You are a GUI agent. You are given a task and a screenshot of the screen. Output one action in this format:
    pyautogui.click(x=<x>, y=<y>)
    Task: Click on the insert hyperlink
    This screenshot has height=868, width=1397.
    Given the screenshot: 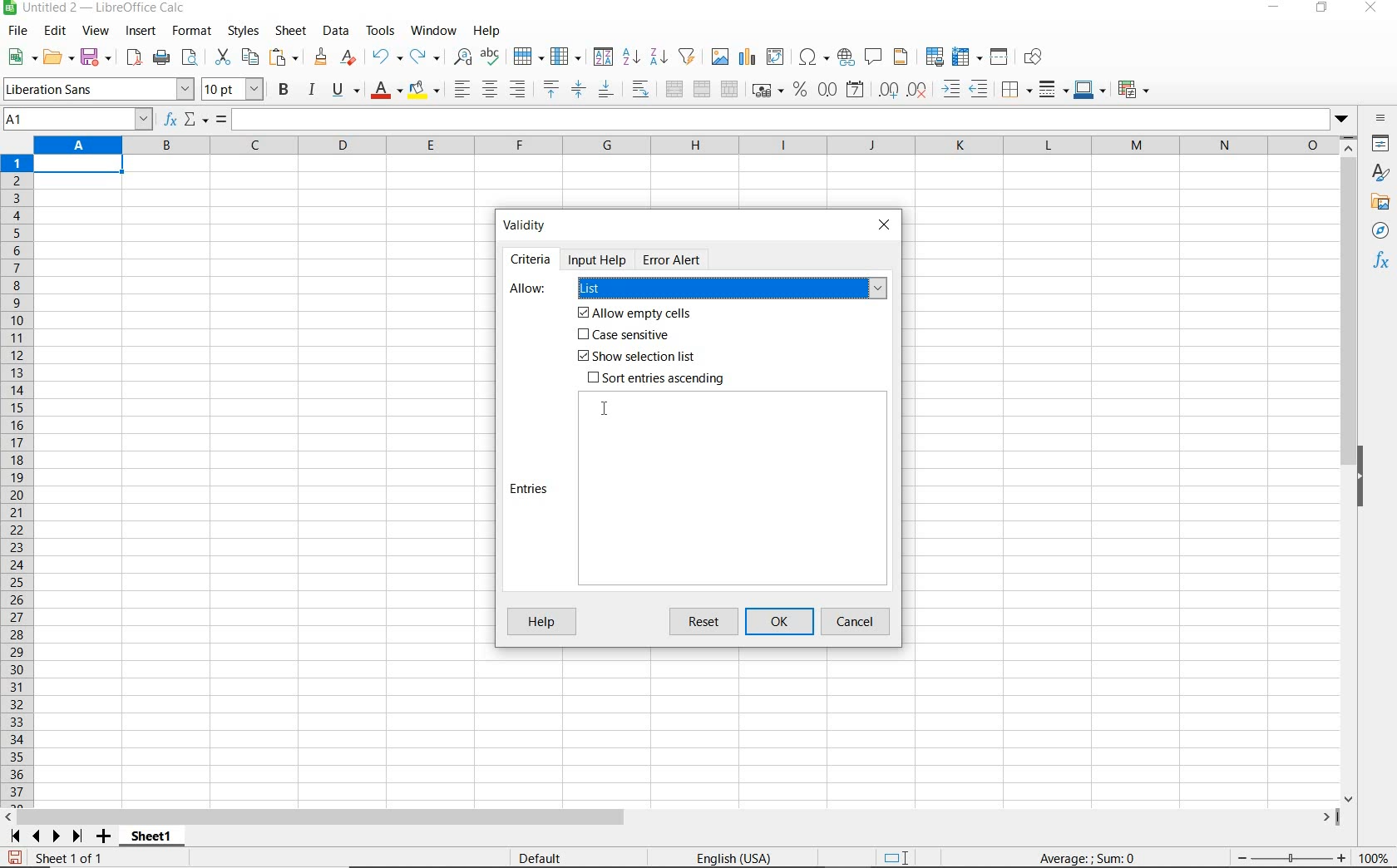 What is the action you would take?
    pyautogui.click(x=846, y=56)
    